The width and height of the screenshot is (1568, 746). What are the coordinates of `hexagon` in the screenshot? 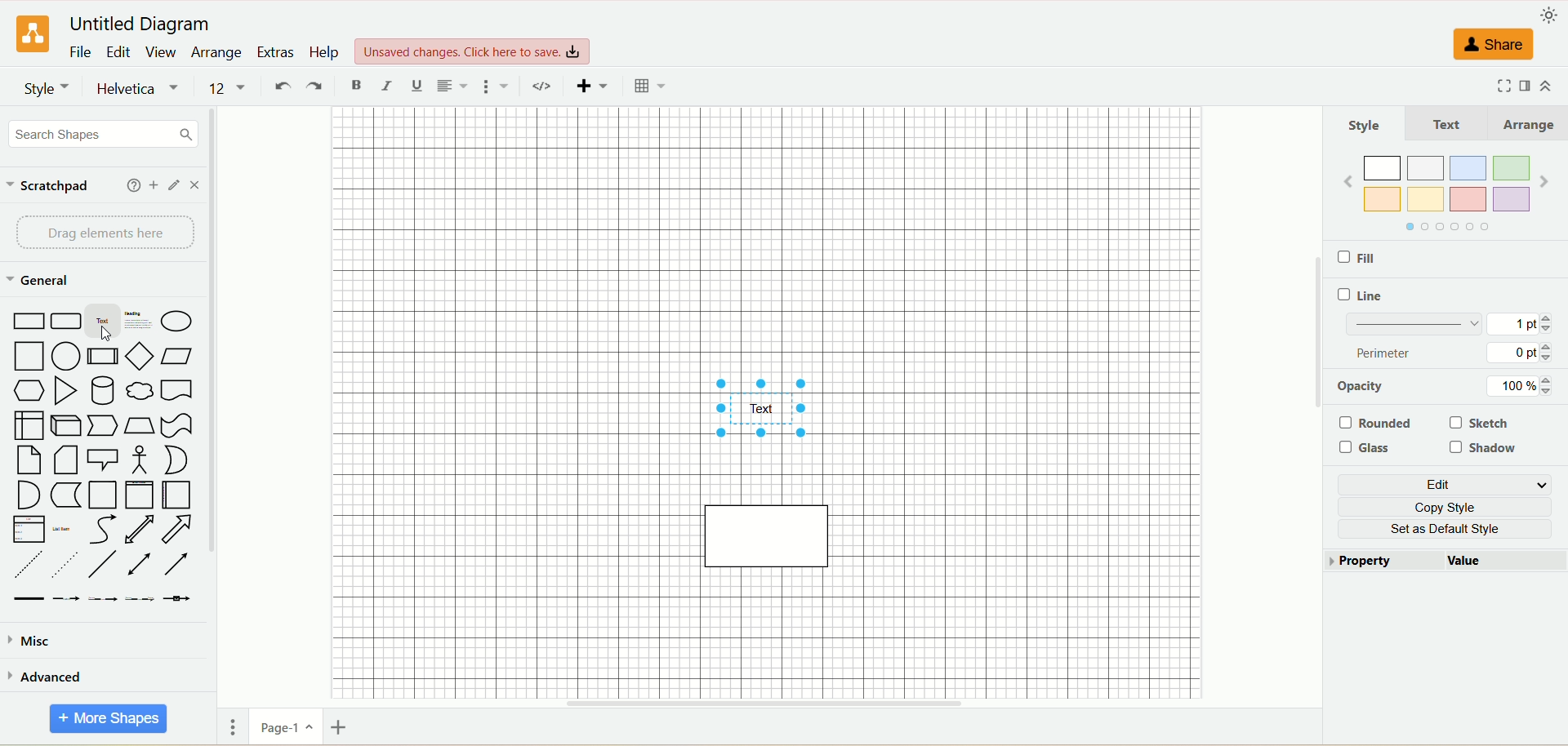 It's located at (30, 389).